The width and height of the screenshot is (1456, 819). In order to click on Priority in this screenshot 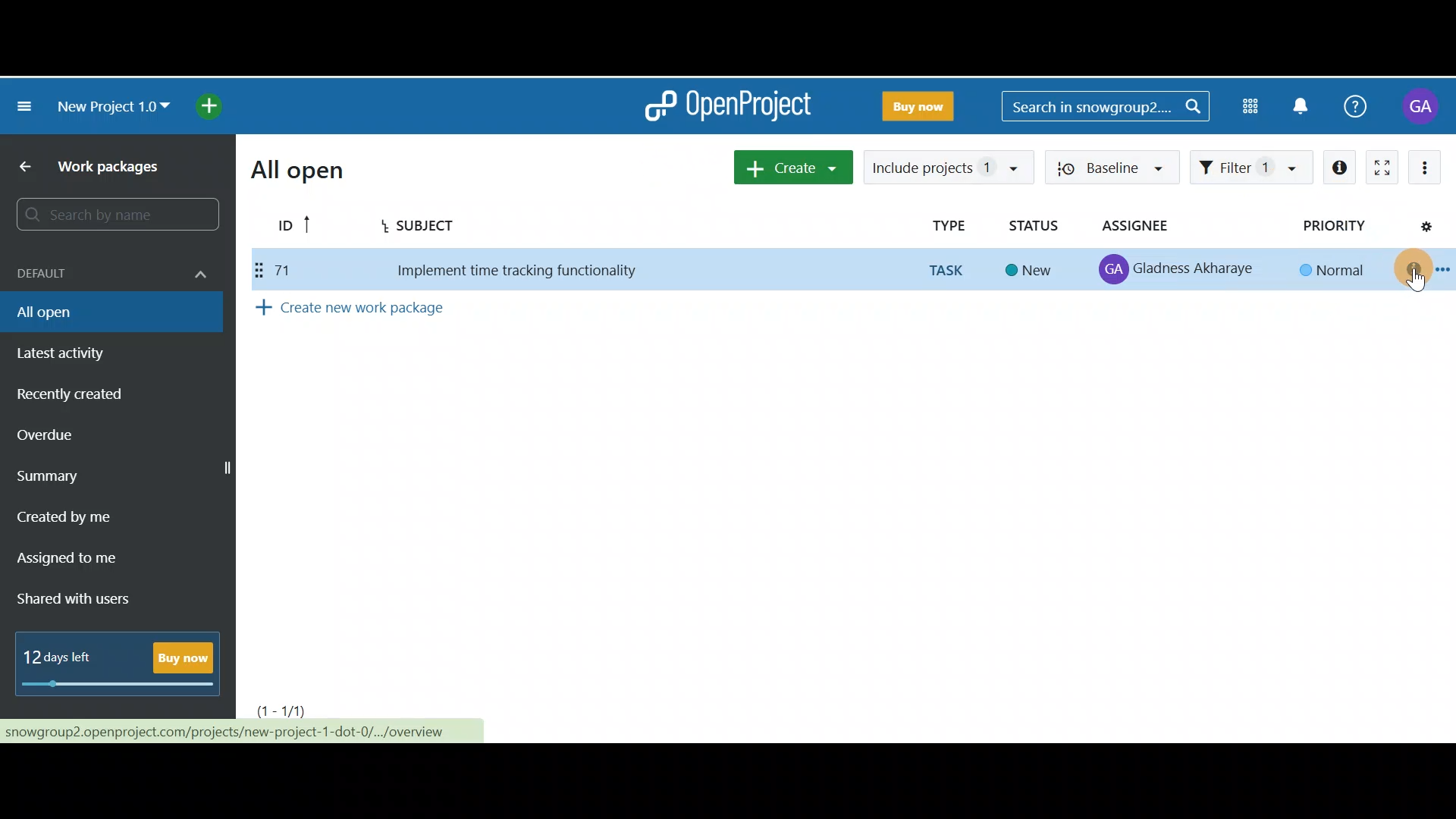, I will do `click(1329, 227)`.